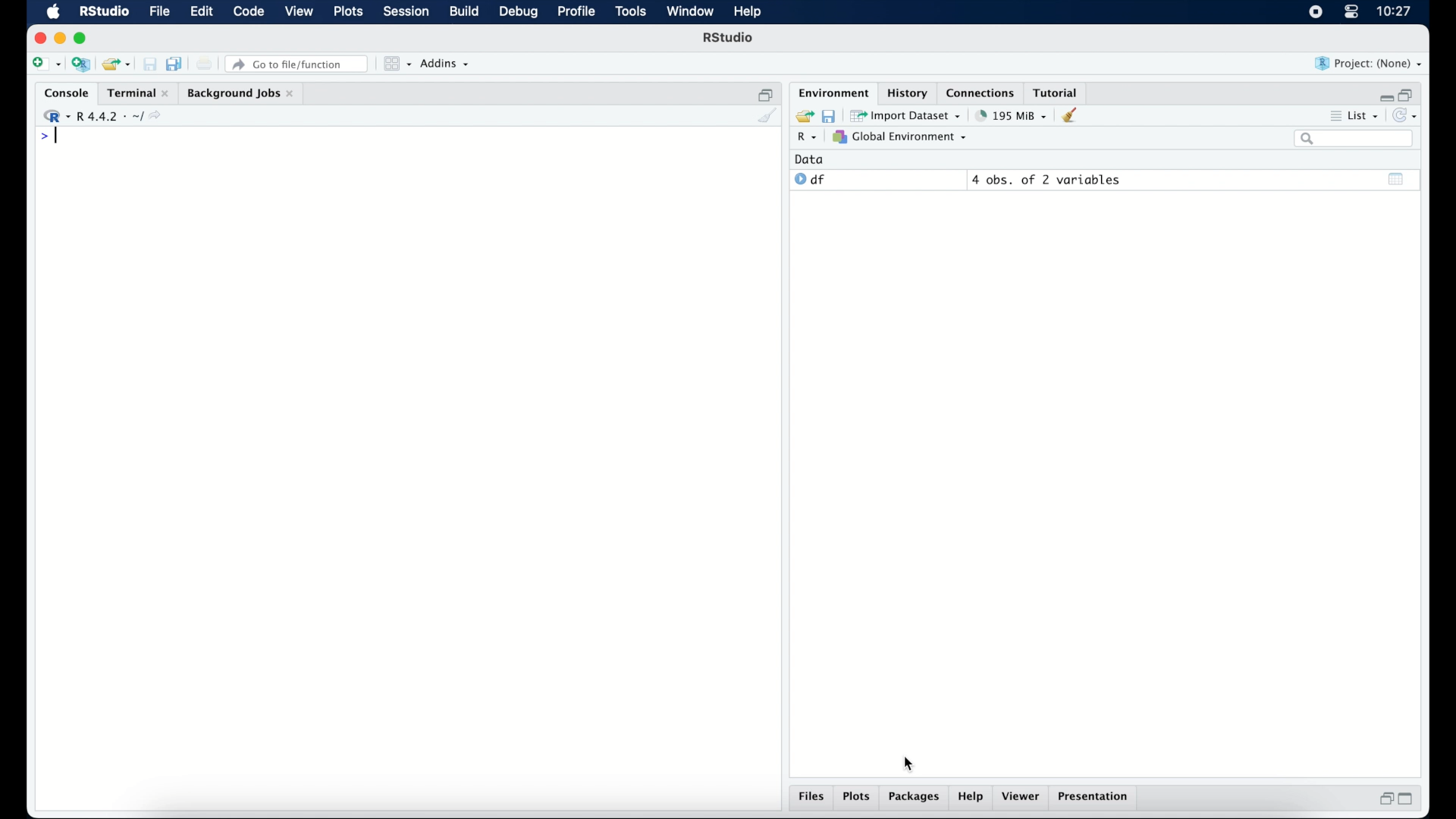 This screenshot has height=819, width=1456. What do you see at coordinates (828, 115) in the screenshot?
I see `save` at bounding box center [828, 115].